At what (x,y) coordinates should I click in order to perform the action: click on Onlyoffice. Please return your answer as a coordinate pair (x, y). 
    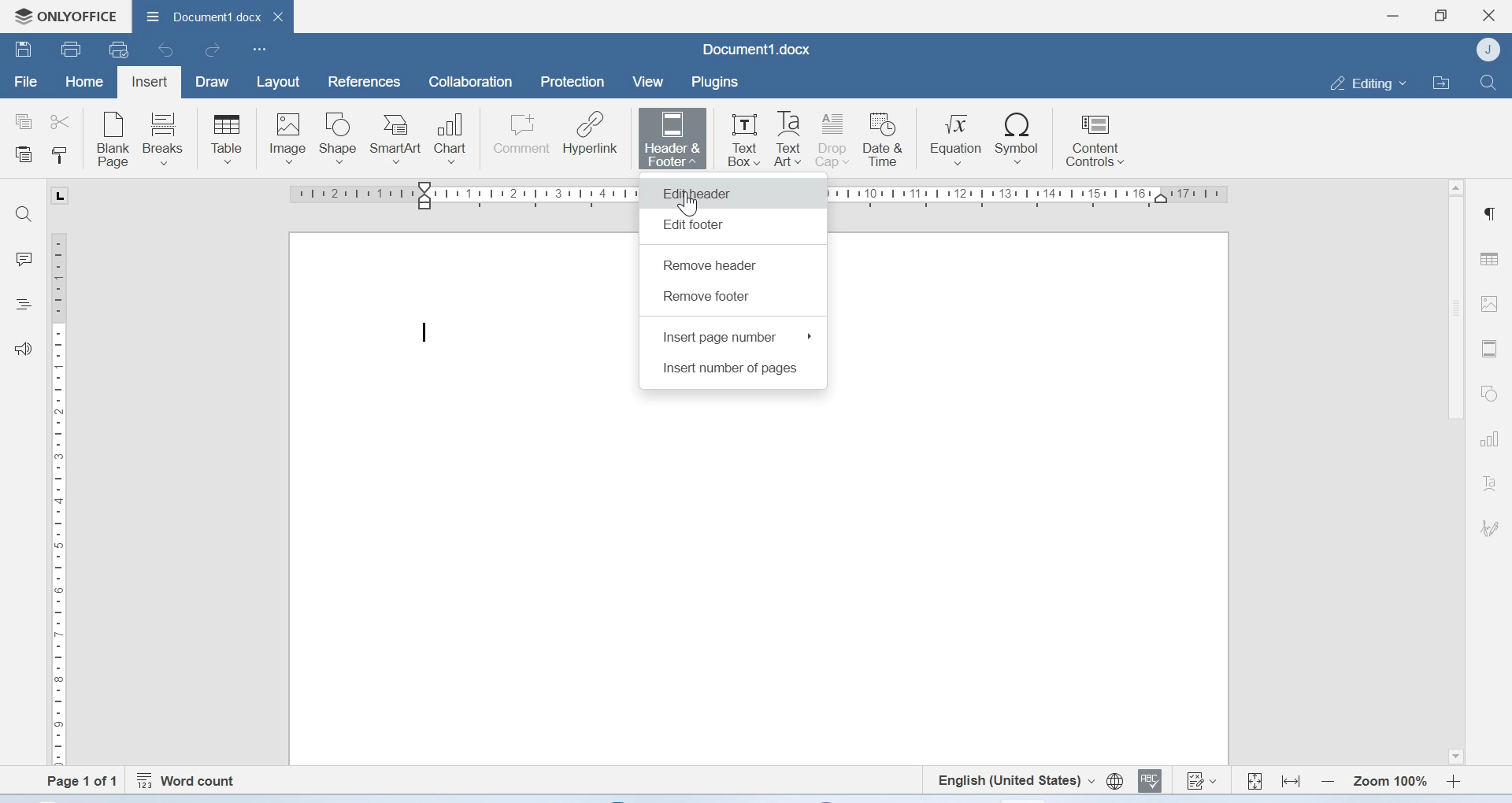
    Looking at the image, I should click on (65, 14).